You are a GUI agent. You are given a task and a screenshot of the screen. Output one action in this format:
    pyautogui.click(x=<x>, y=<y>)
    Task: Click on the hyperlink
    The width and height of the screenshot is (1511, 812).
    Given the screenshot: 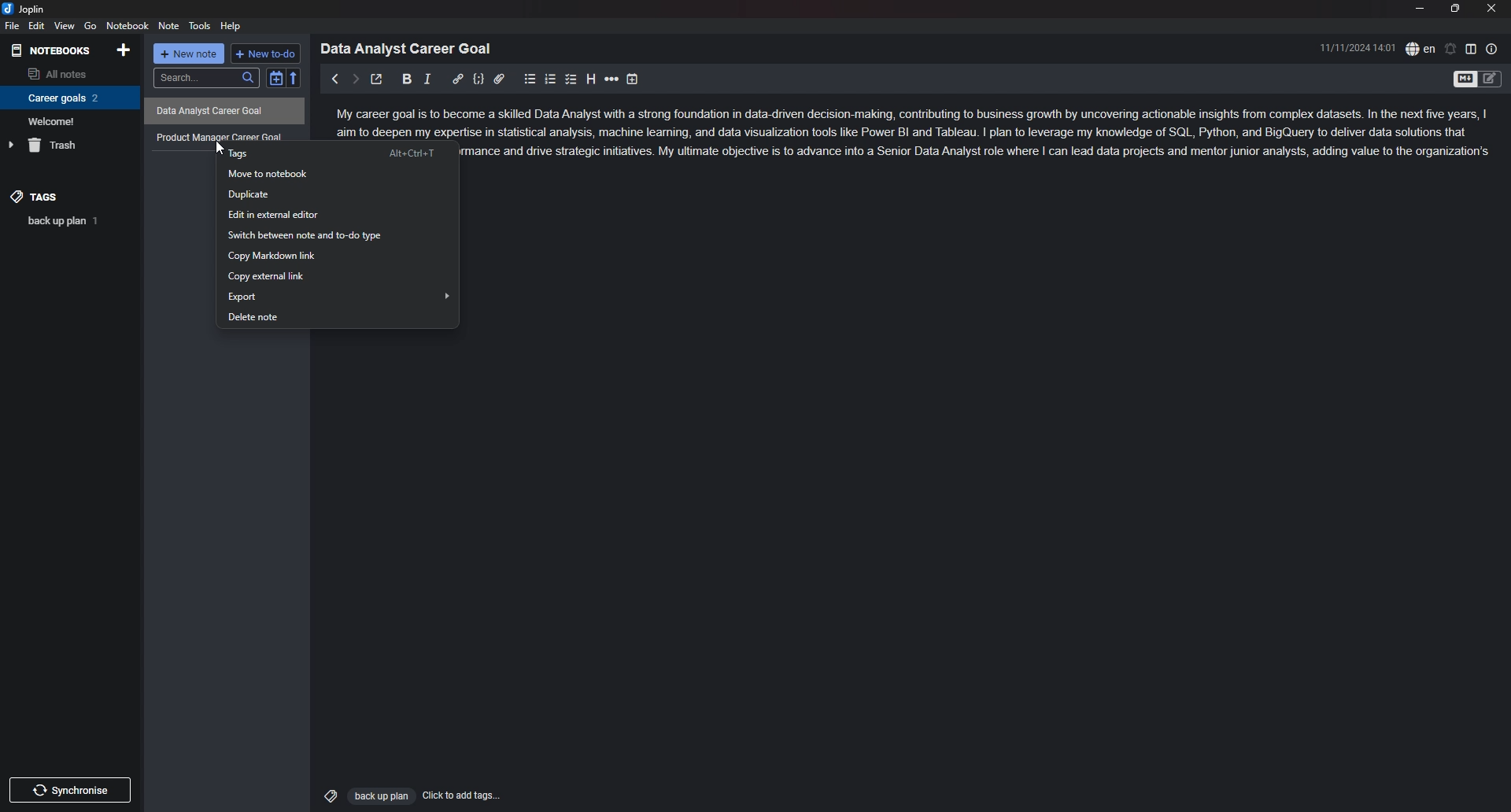 What is the action you would take?
    pyautogui.click(x=457, y=79)
    